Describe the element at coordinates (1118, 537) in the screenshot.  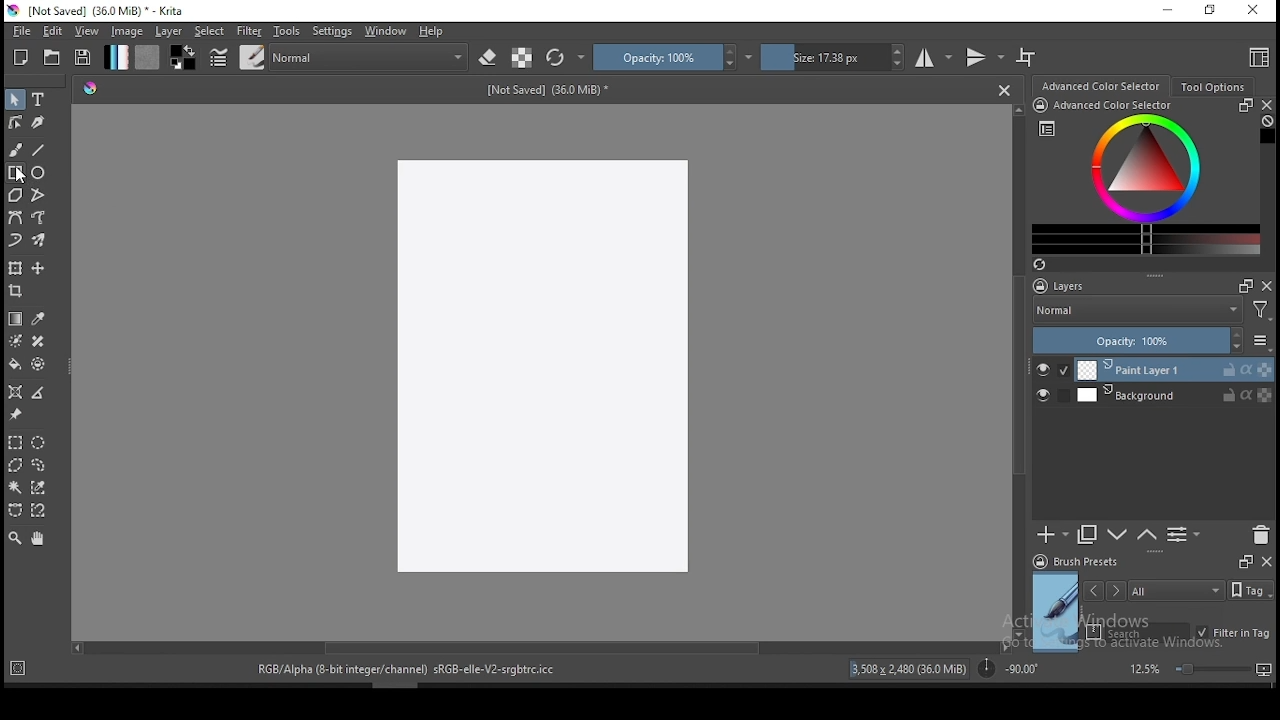
I see `move layer one step up` at that location.